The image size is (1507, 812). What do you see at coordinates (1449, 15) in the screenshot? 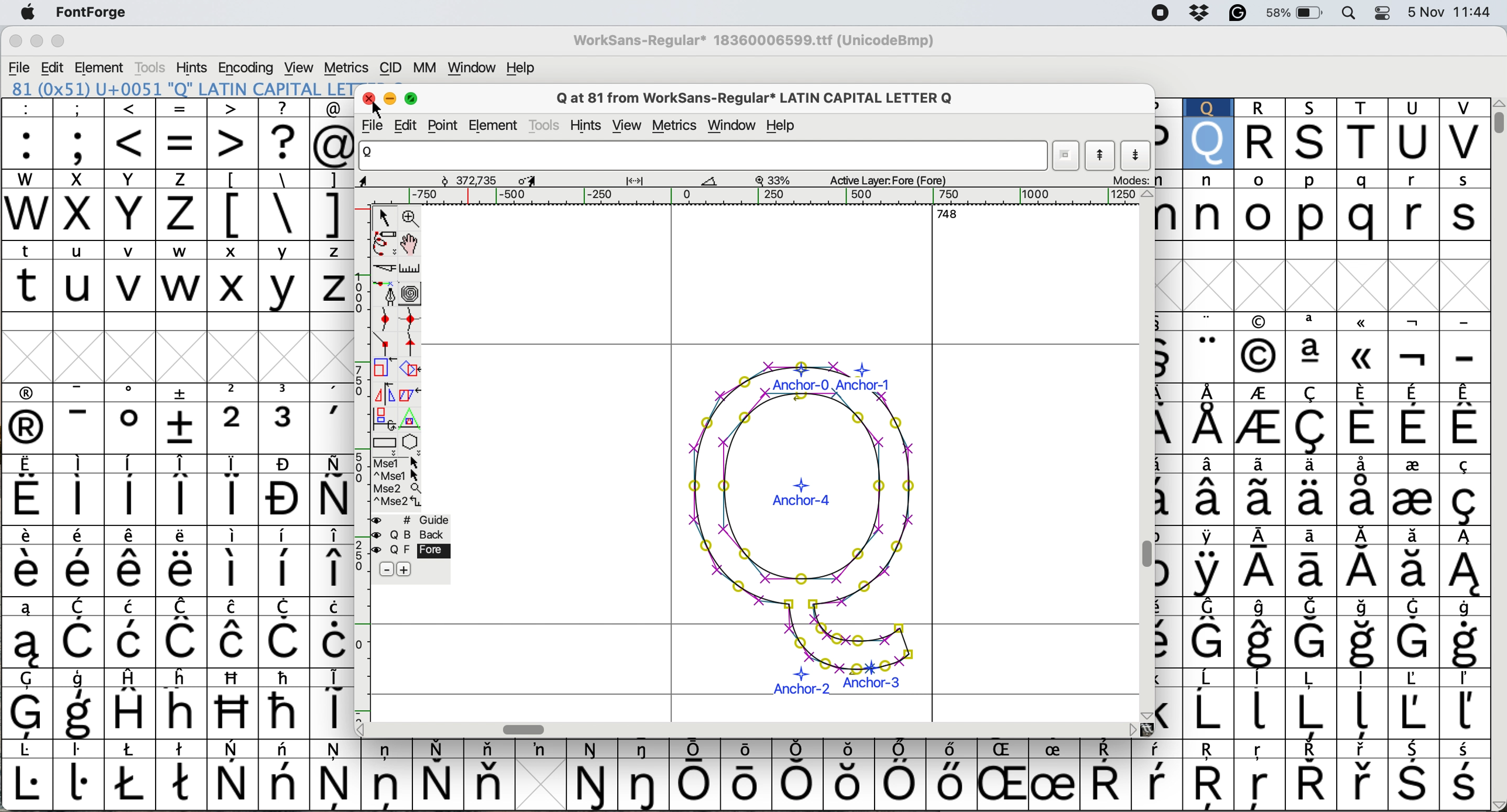
I see `5 Nov 11:44` at bounding box center [1449, 15].